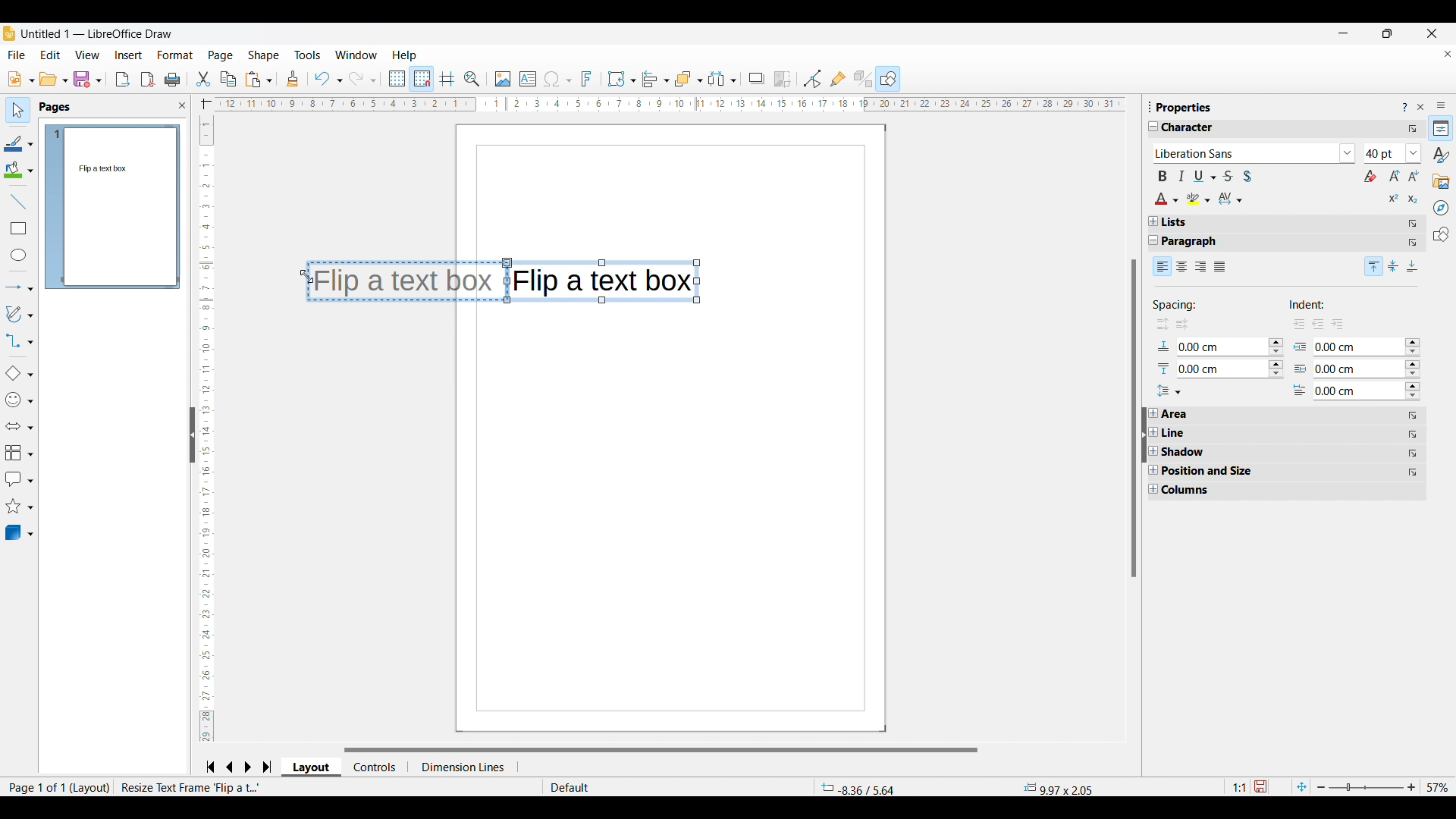 This screenshot has height=819, width=1456. Describe the element at coordinates (1370, 176) in the screenshot. I see `Clear direct formating ` at that location.